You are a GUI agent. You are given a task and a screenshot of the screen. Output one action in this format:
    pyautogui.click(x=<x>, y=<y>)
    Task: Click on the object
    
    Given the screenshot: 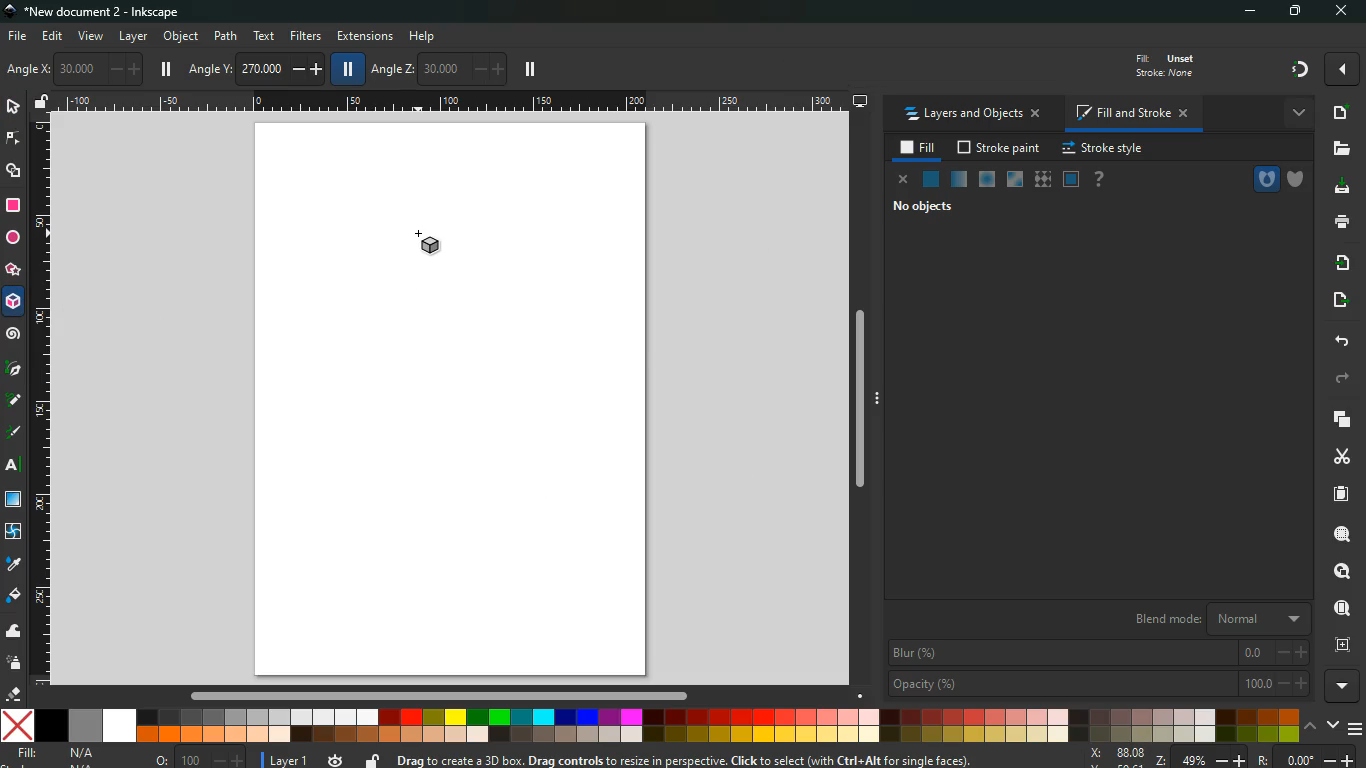 What is the action you would take?
    pyautogui.click(x=183, y=38)
    